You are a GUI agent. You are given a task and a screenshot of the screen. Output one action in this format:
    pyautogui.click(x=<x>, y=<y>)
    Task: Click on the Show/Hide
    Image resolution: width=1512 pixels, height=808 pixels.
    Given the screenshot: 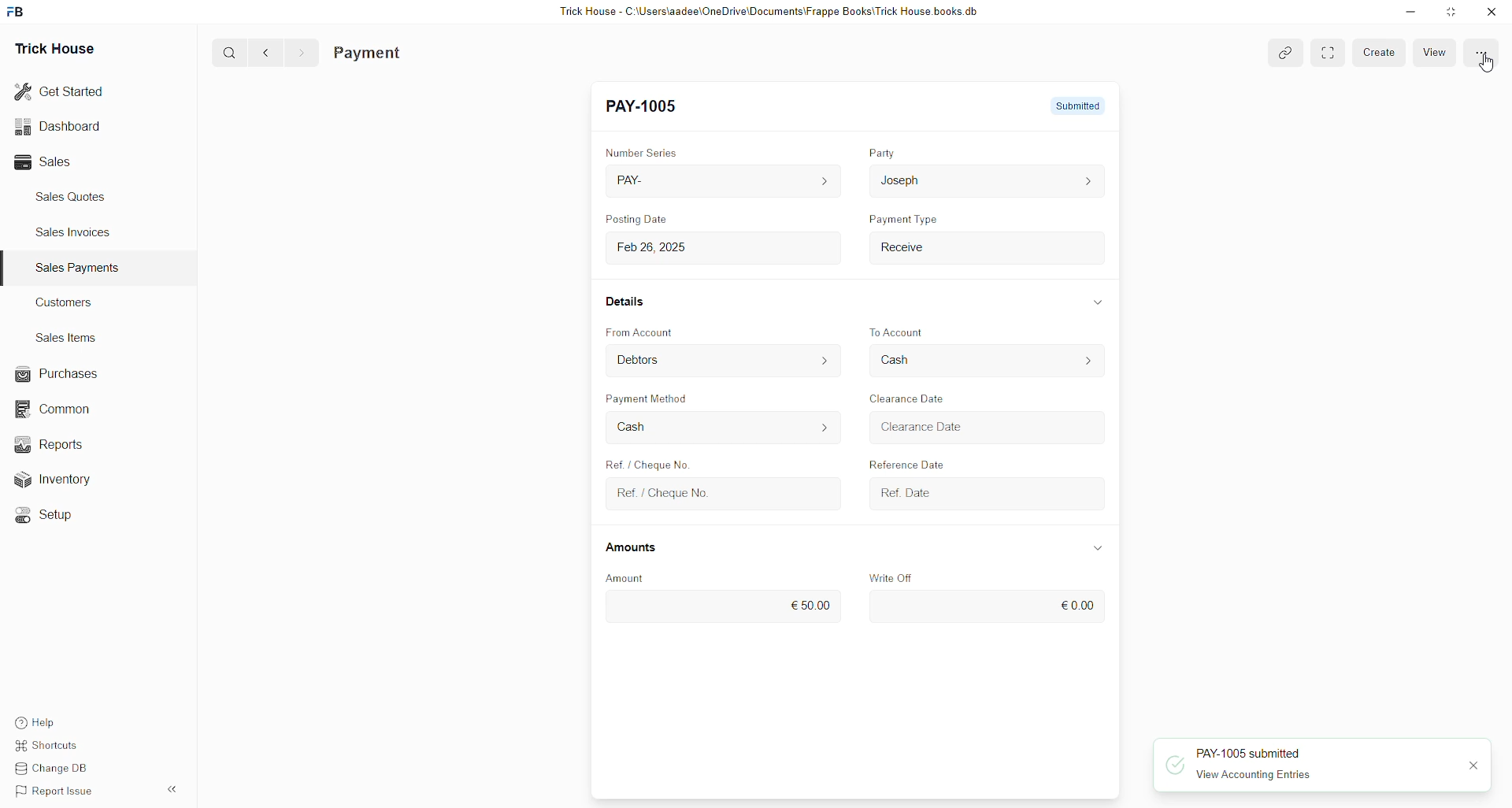 What is the action you would take?
    pyautogui.click(x=1091, y=662)
    